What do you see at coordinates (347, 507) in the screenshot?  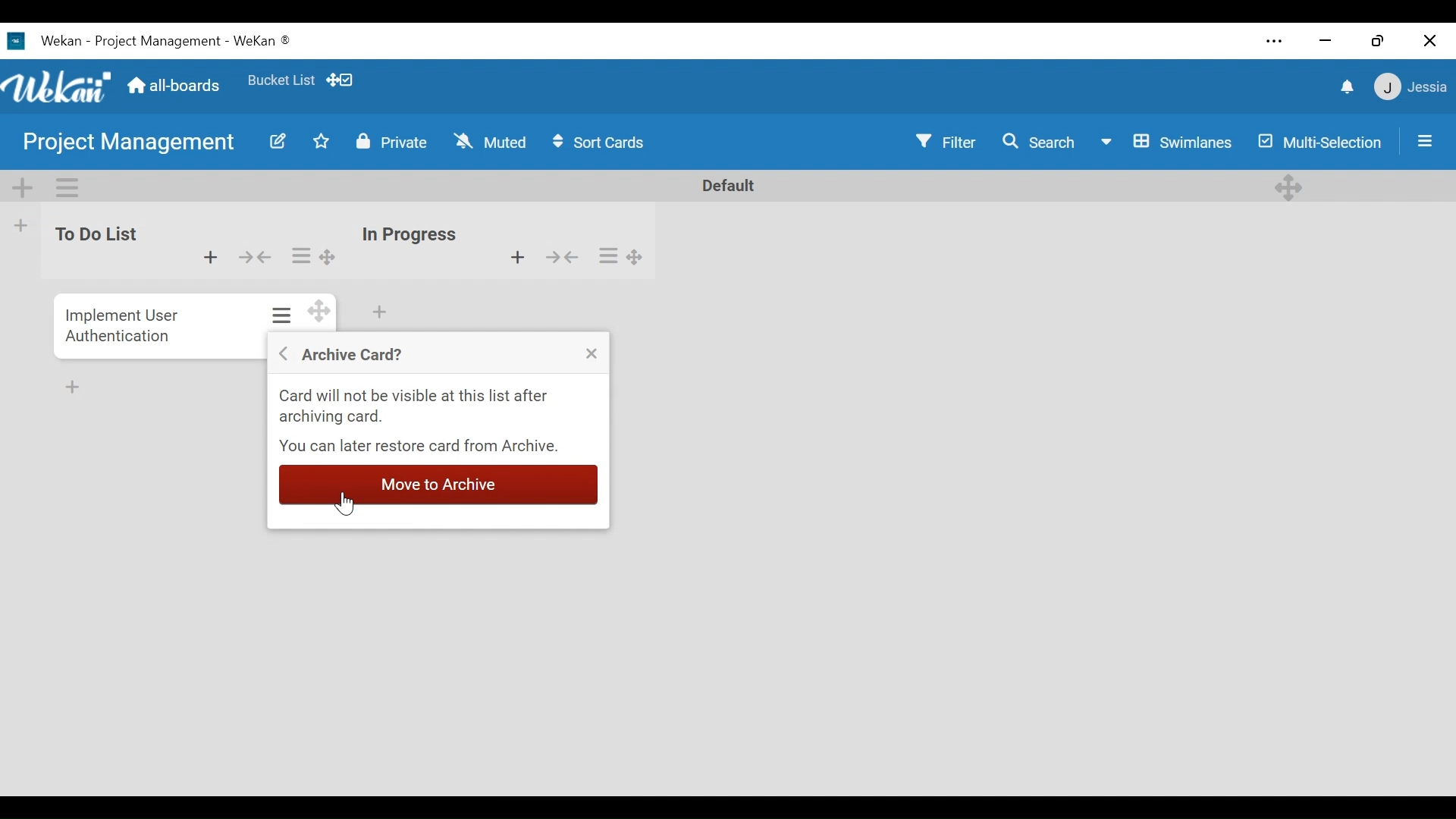 I see `Cursor` at bounding box center [347, 507].